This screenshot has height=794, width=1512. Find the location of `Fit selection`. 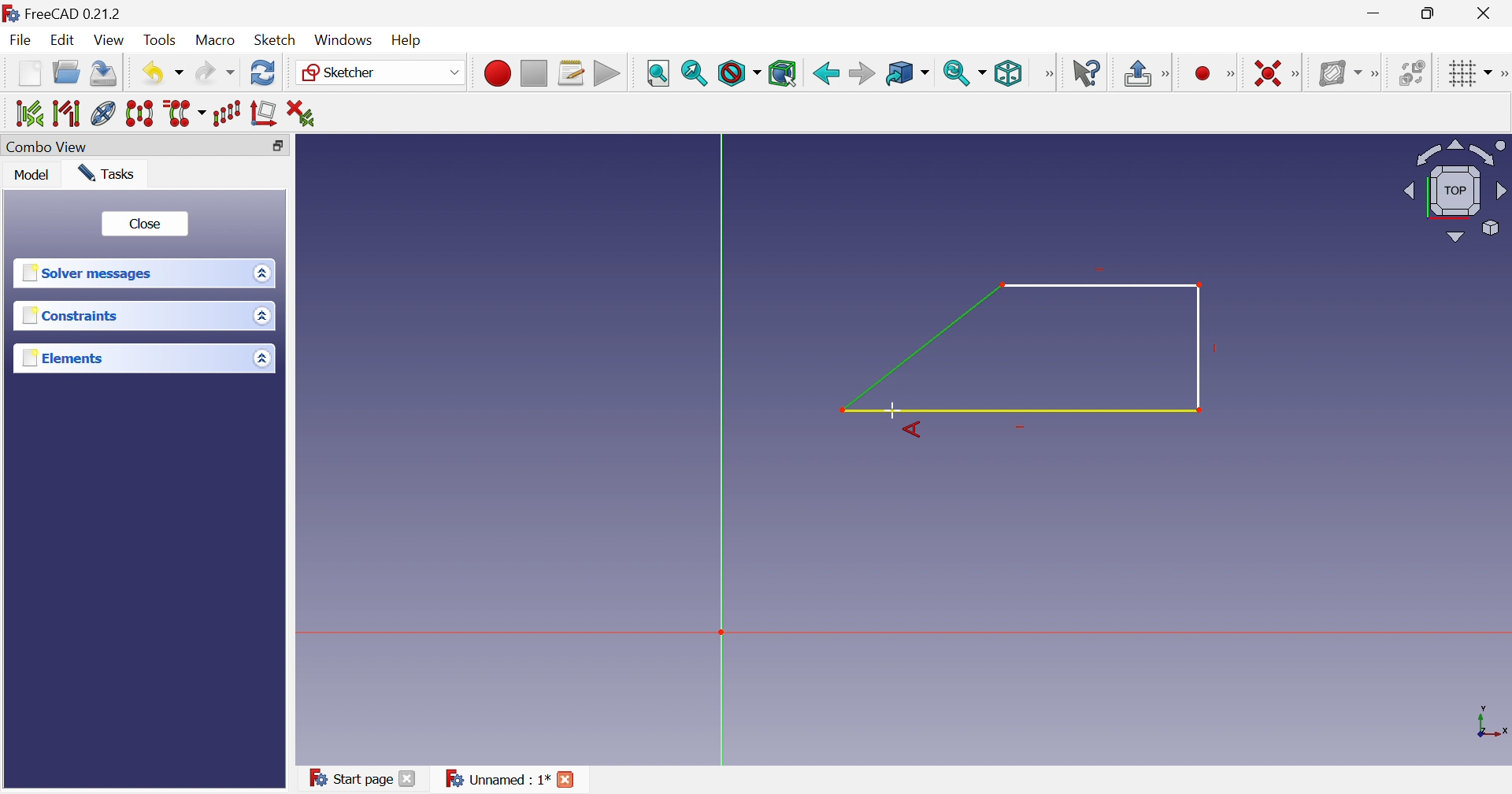

Fit selection is located at coordinates (695, 75).